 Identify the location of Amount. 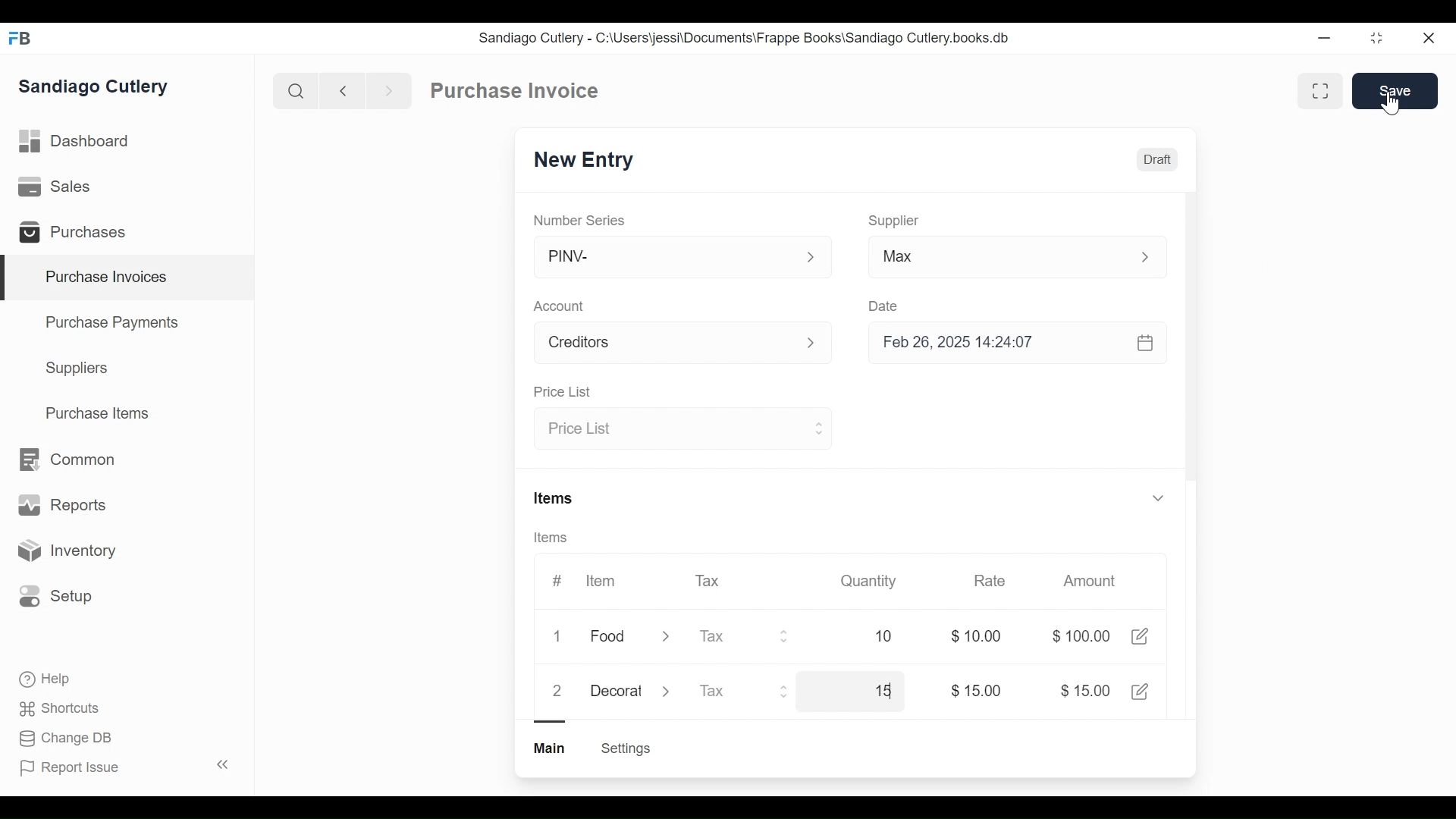
(1093, 582).